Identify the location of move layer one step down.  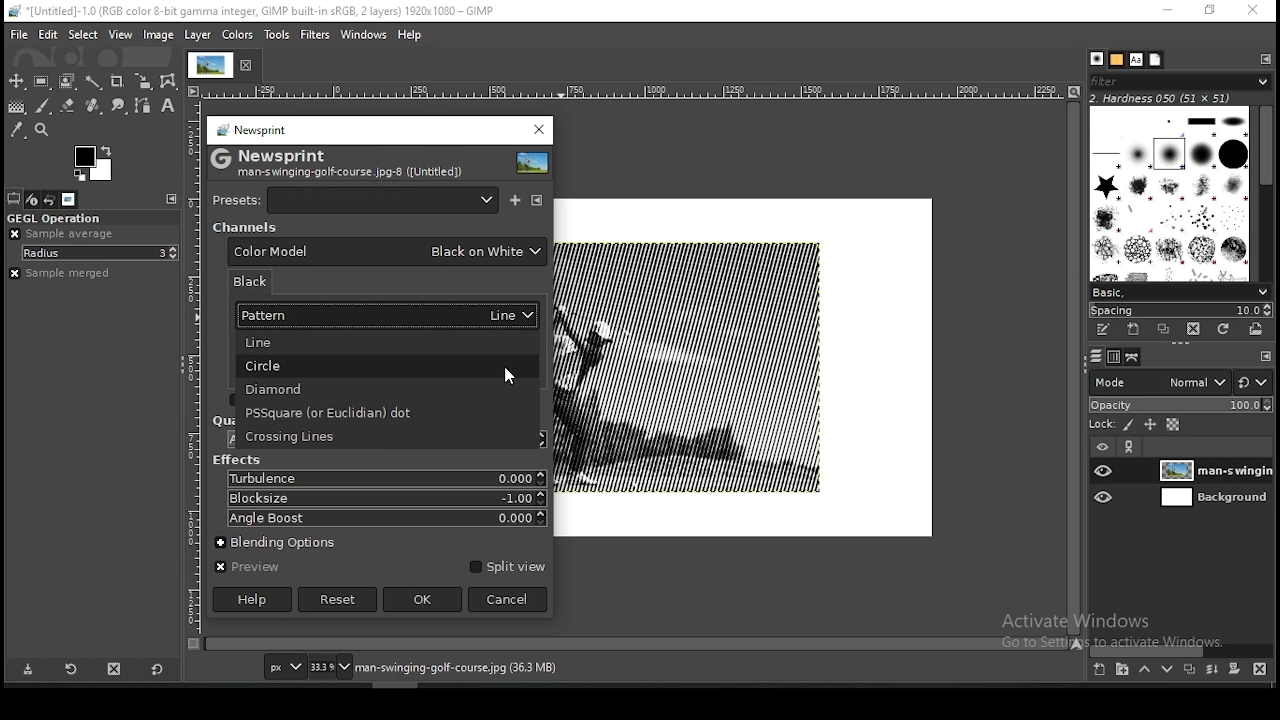
(1166, 667).